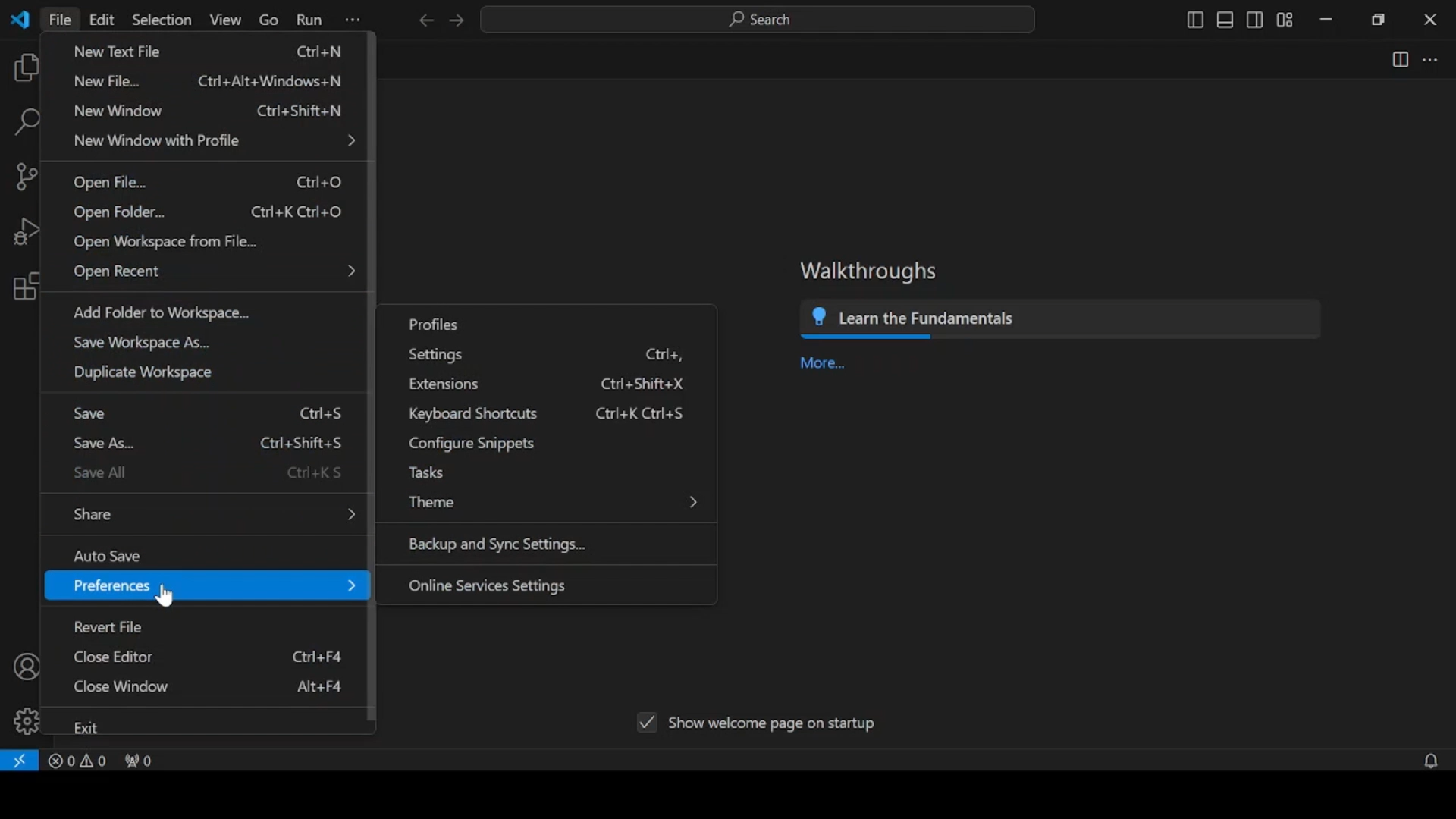 The width and height of the screenshot is (1456, 819). Describe the element at coordinates (644, 721) in the screenshot. I see `tick` at that location.